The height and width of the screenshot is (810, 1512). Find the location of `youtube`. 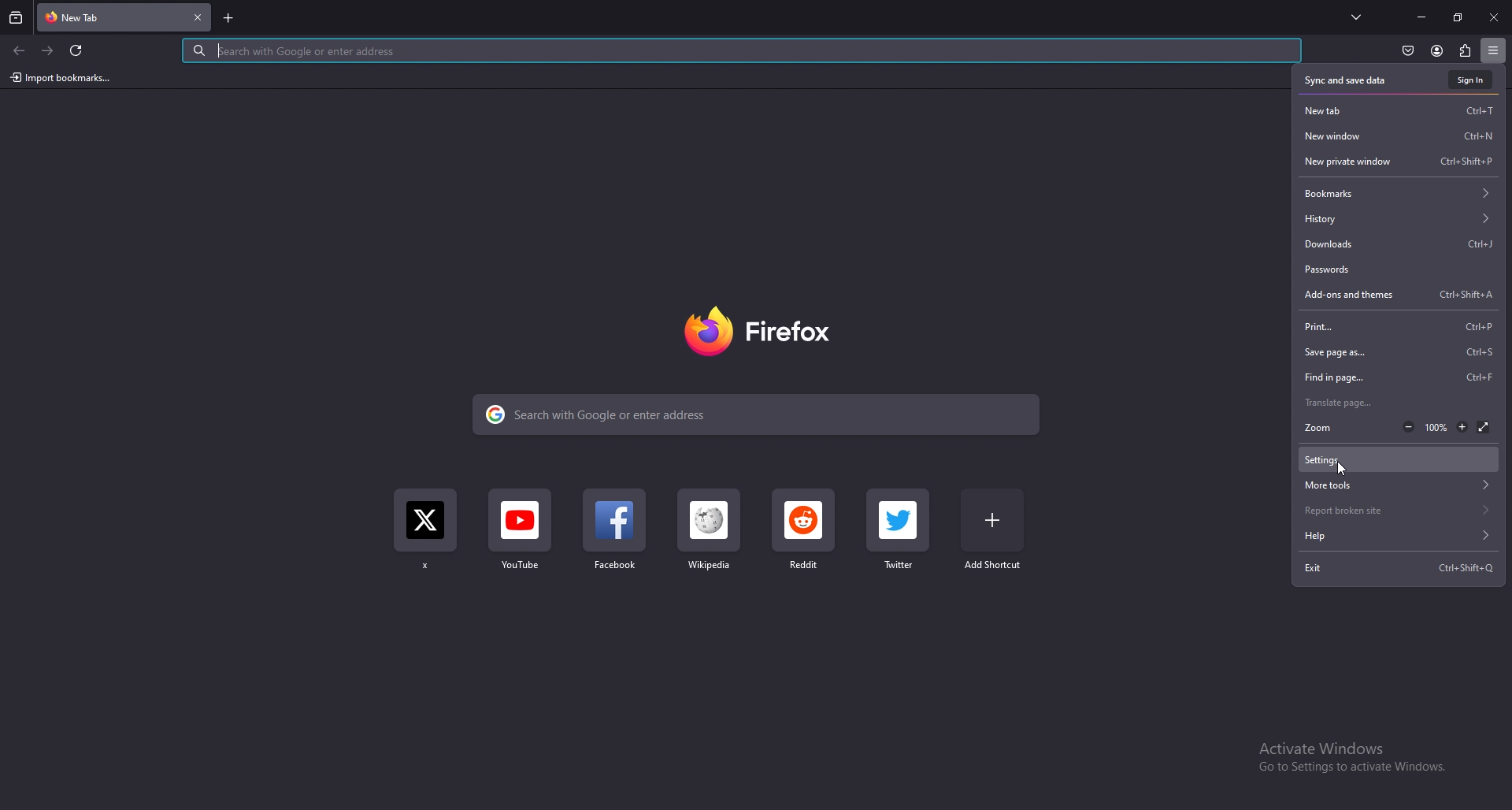

youtube is located at coordinates (522, 537).